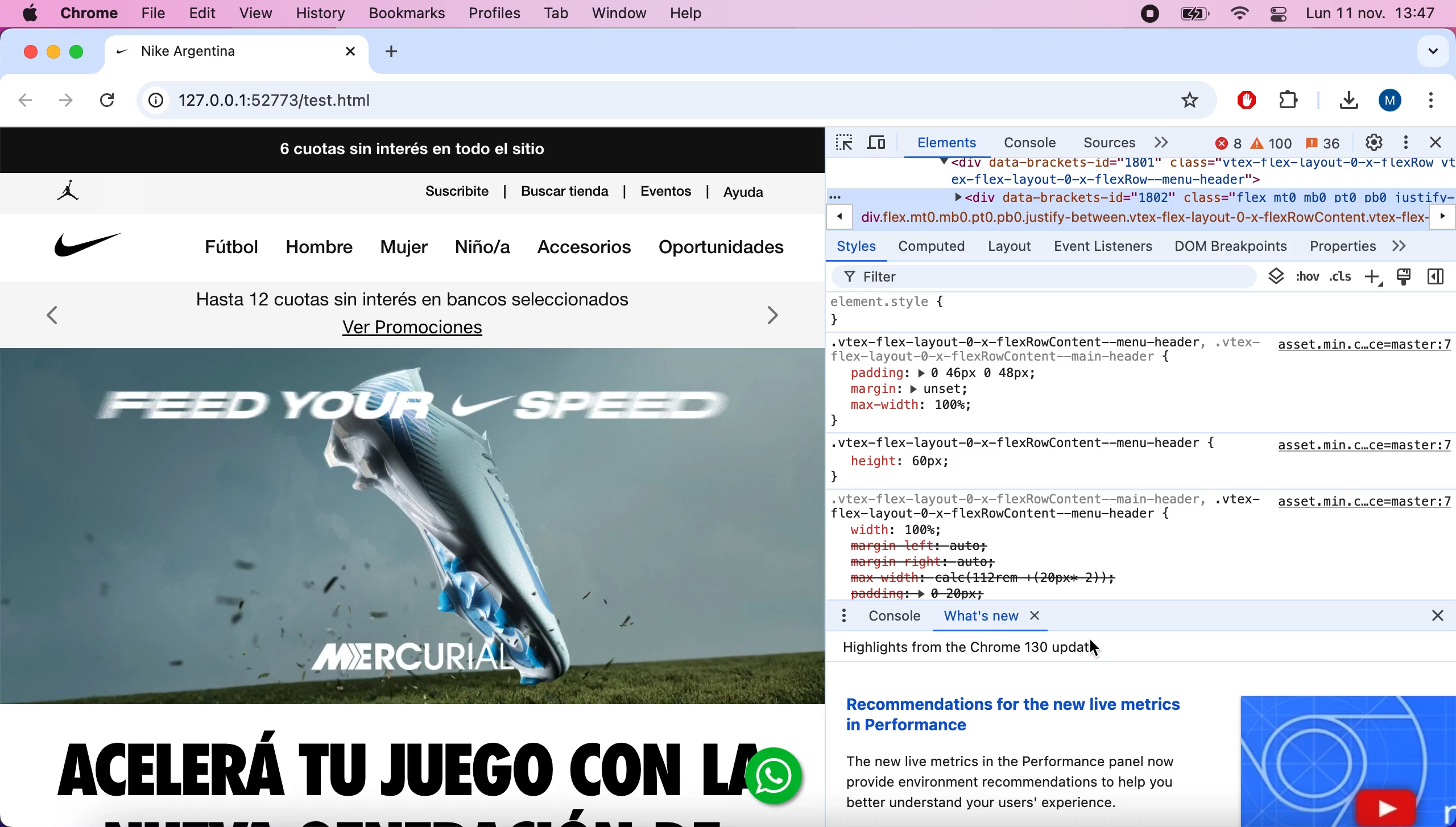 This screenshot has width=1456, height=827. I want to click on customize and control google chrome, so click(1435, 104).